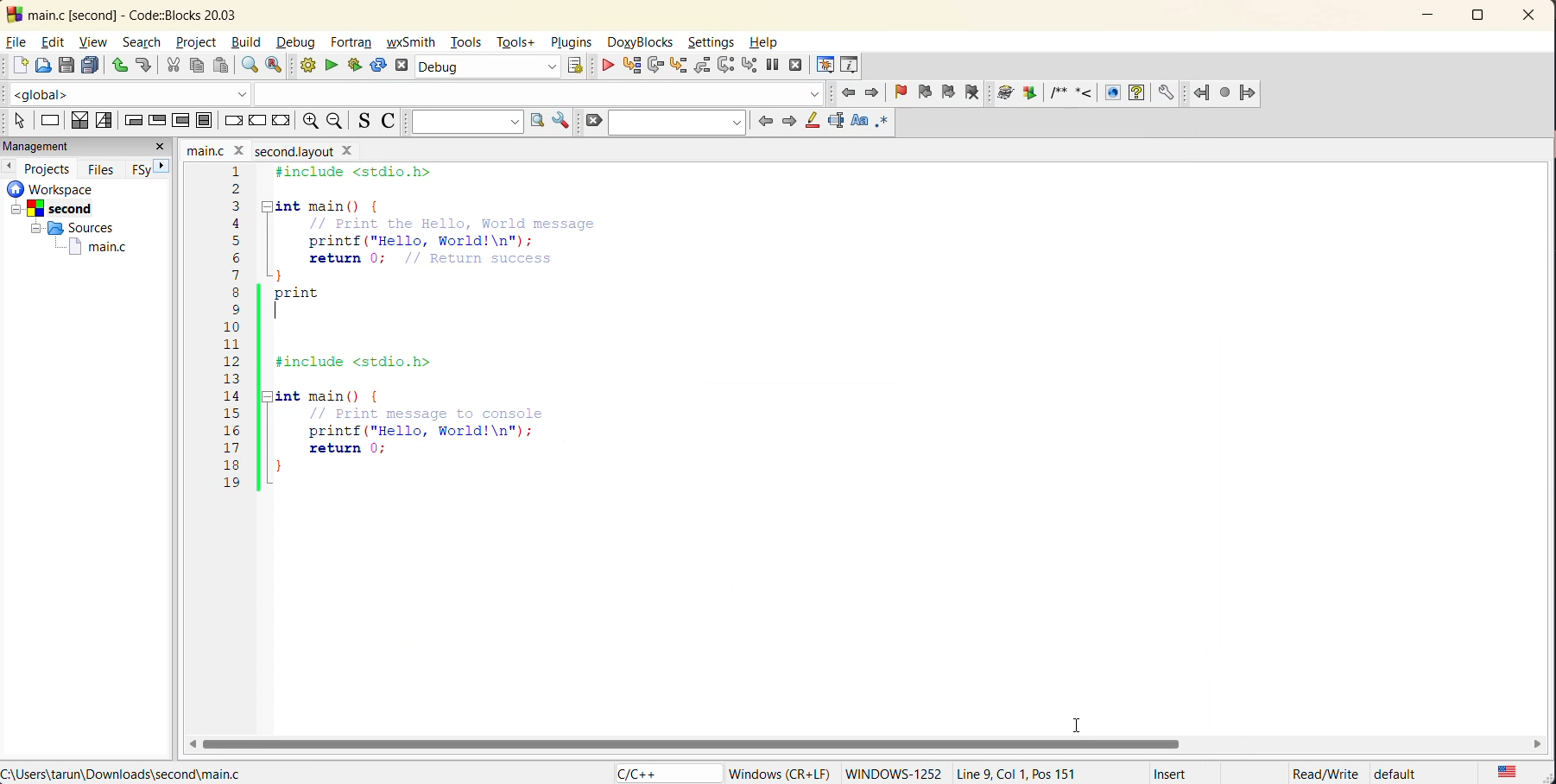  What do you see at coordinates (1249, 91) in the screenshot?
I see `Jump forward` at bounding box center [1249, 91].